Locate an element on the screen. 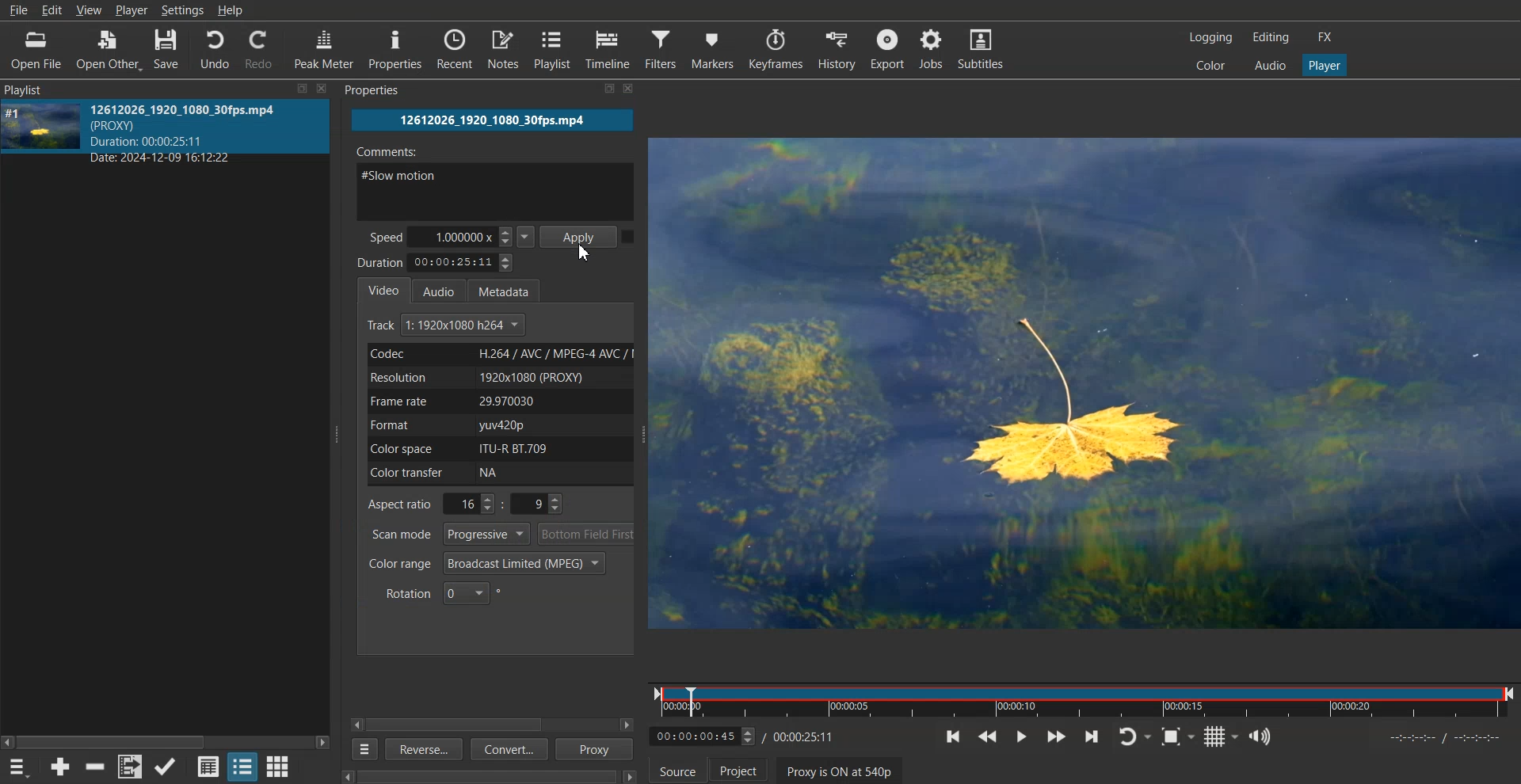 The width and height of the screenshot is (1521, 784). Subtitle is located at coordinates (985, 48).